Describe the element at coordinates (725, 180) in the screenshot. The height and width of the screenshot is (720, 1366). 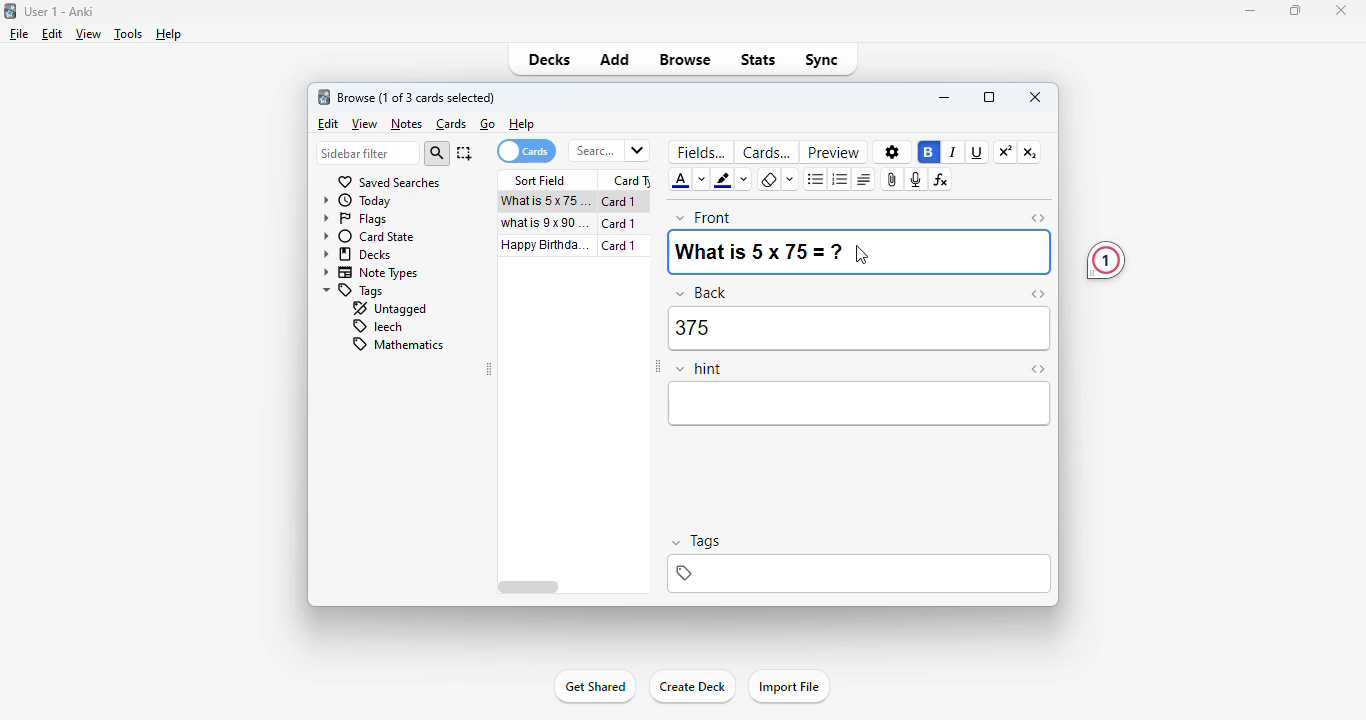
I see `text highlight color` at that location.